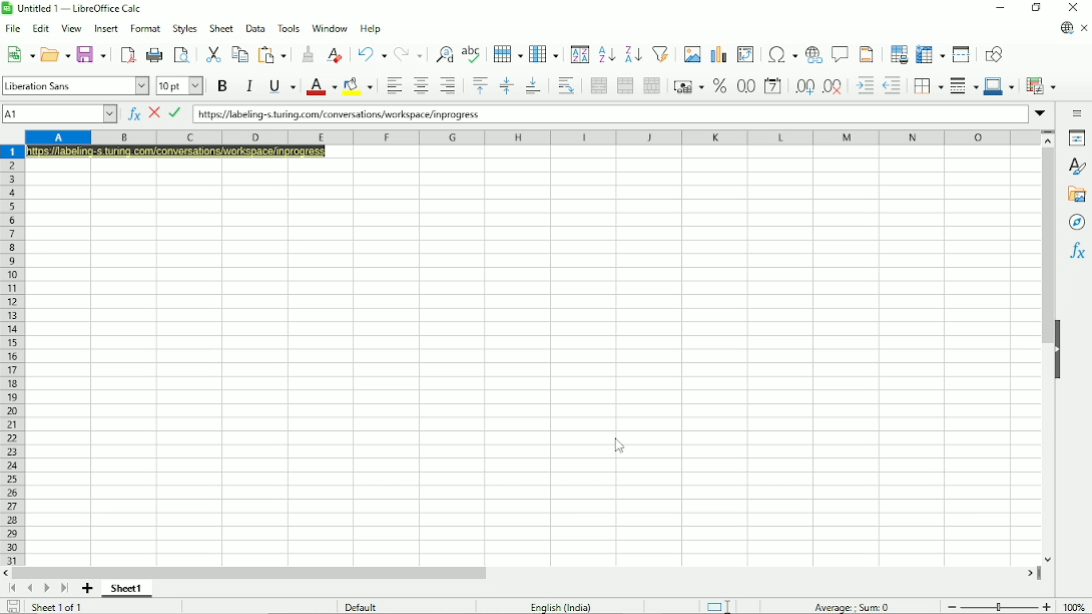 The image size is (1092, 614). Describe the element at coordinates (408, 53) in the screenshot. I see `Redo` at that location.